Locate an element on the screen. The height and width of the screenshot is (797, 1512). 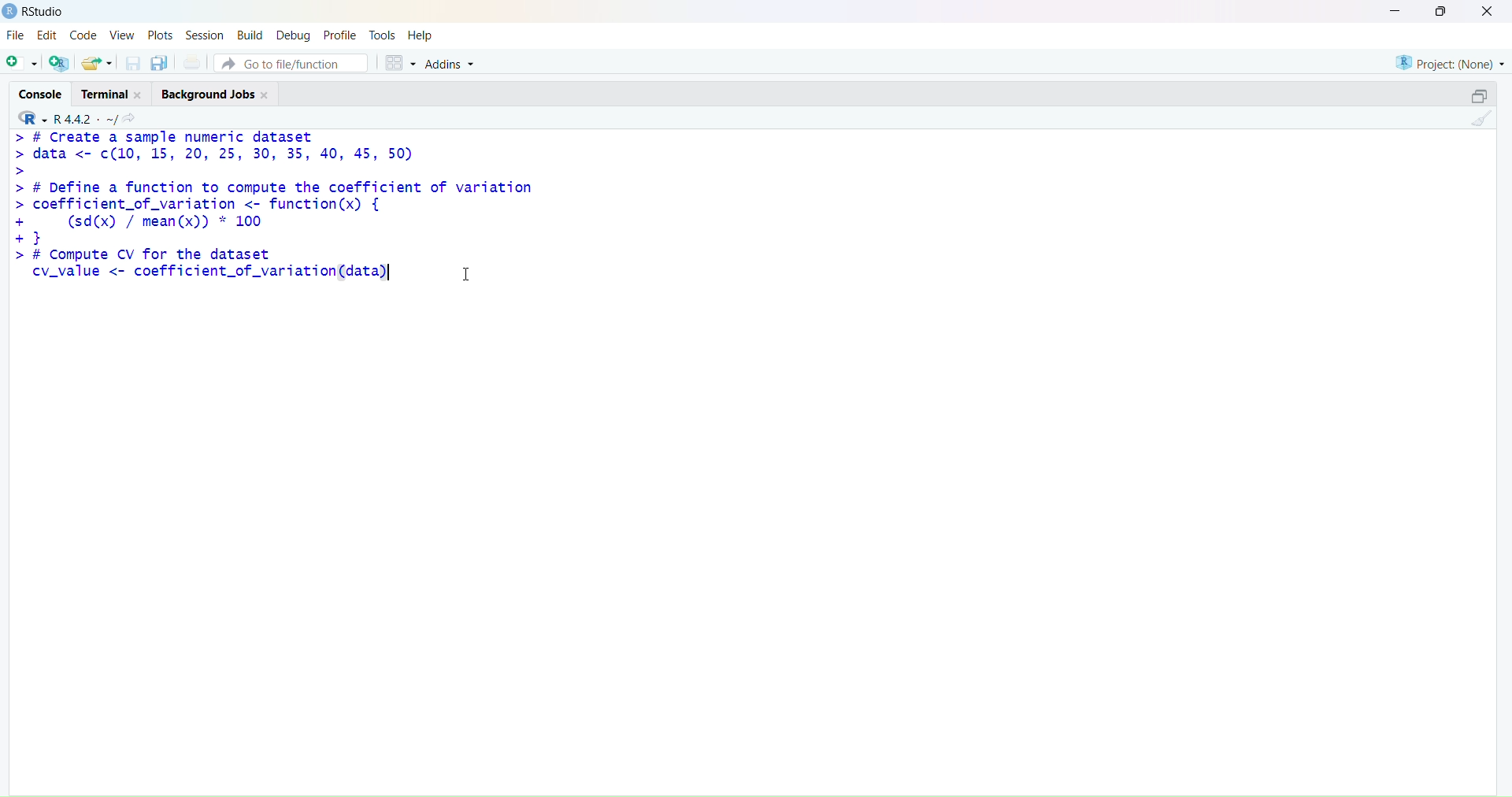
go to file/function is located at coordinates (291, 64).